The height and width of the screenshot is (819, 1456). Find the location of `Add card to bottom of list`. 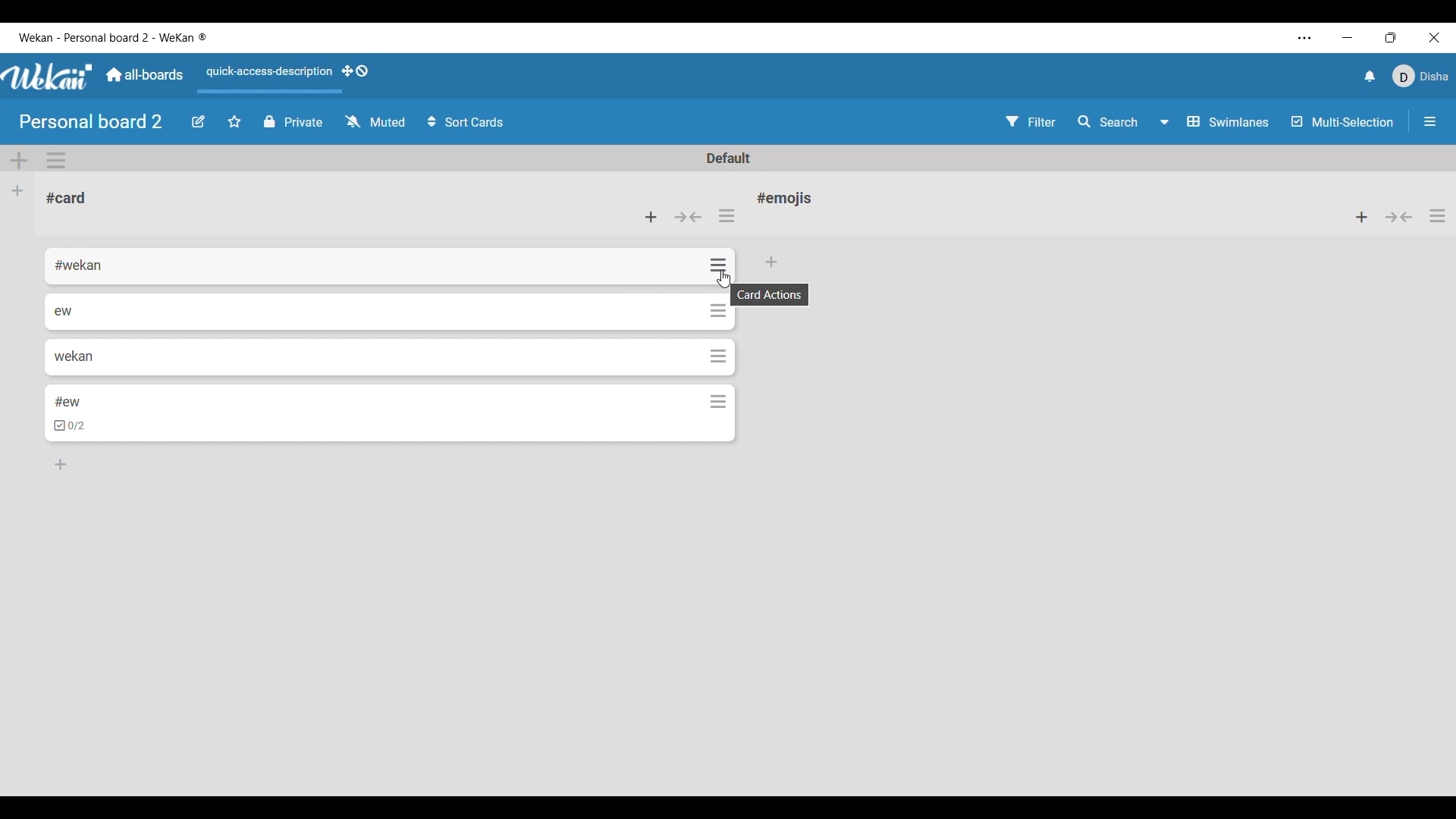

Add card to bottom of list is located at coordinates (773, 262).